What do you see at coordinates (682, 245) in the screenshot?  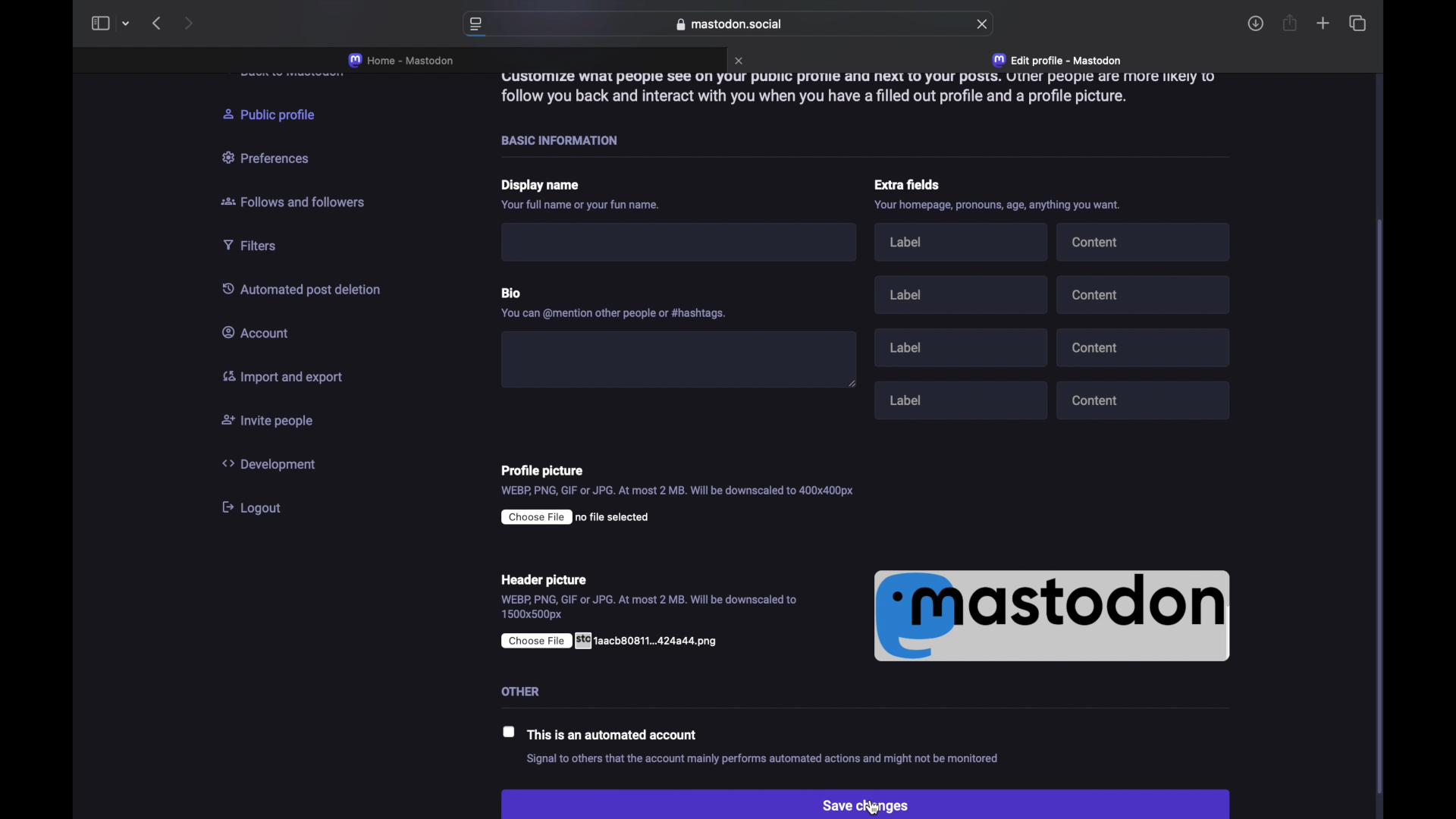 I see `blank box` at bounding box center [682, 245].